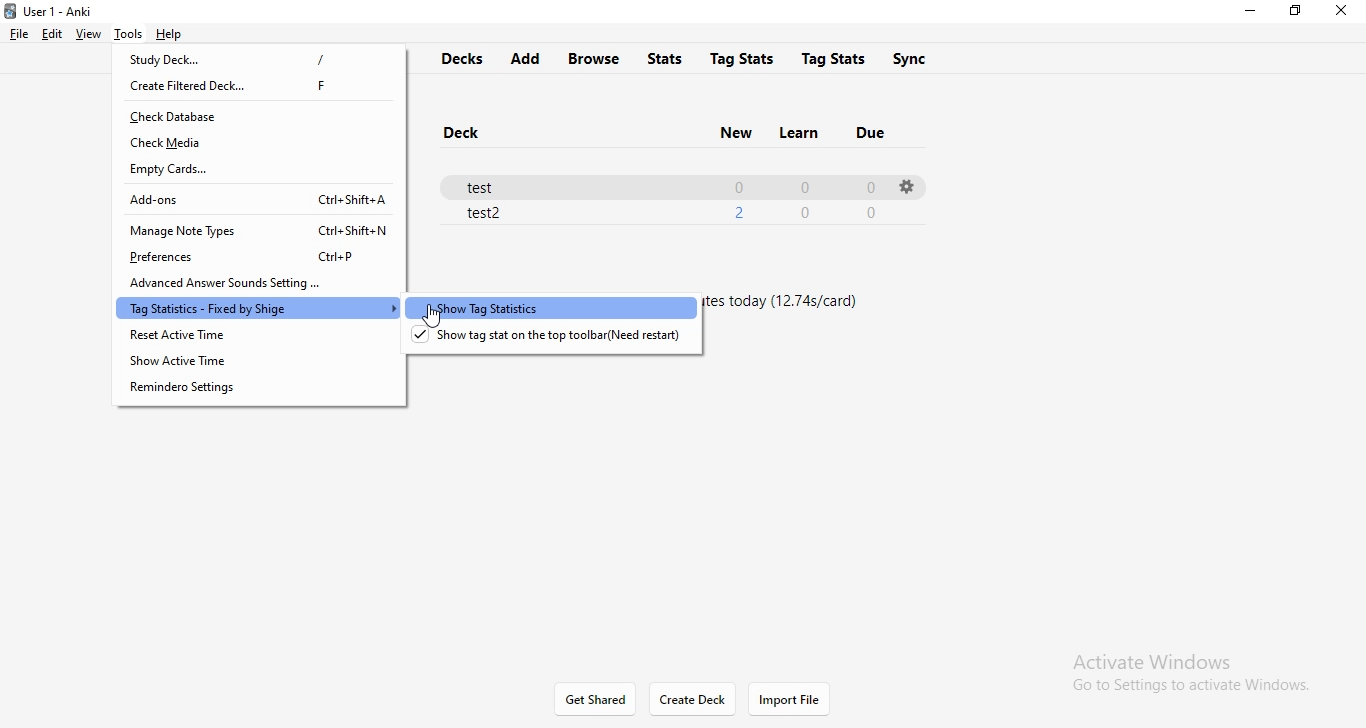 The width and height of the screenshot is (1366, 728). Describe the element at coordinates (256, 282) in the screenshot. I see `advanced answer sounds setting` at that location.